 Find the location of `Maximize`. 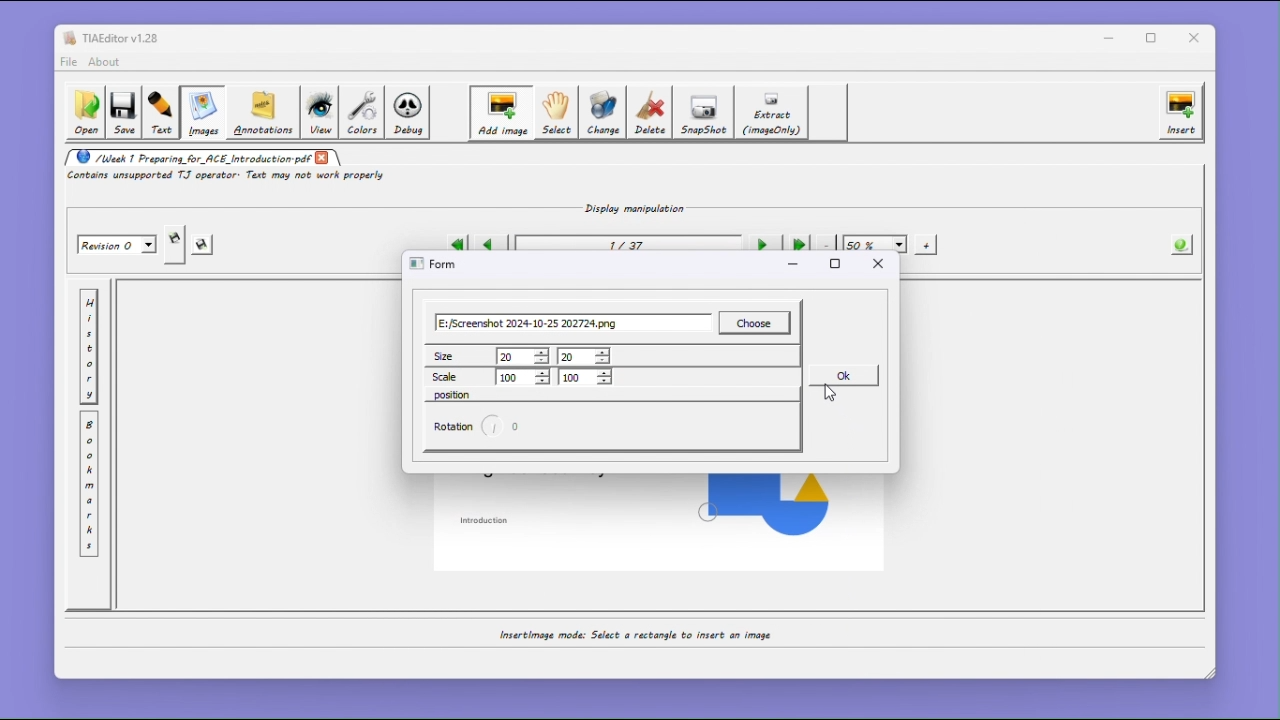

Maximize is located at coordinates (1155, 38).